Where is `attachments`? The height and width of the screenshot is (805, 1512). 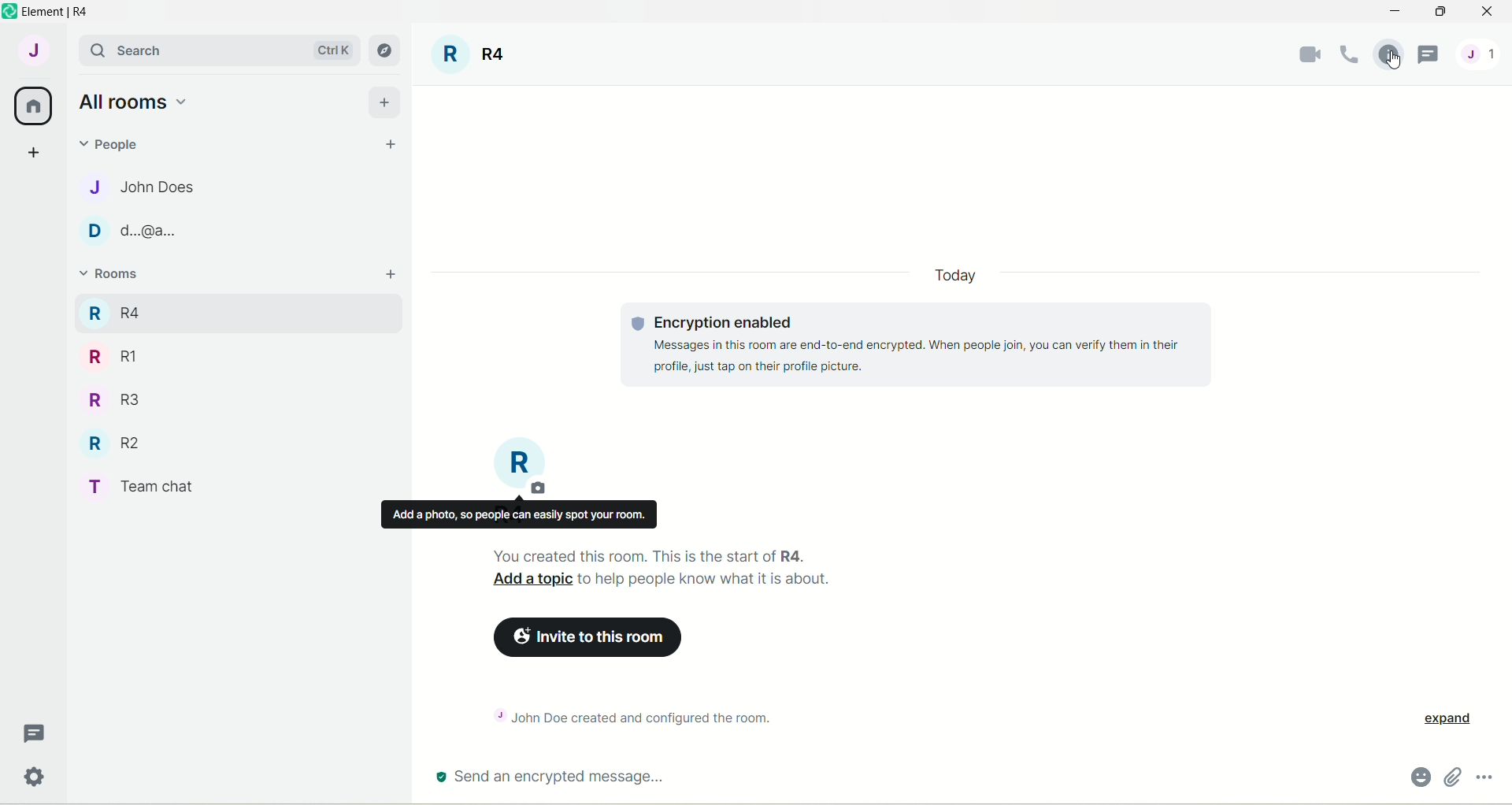
attachments is located at coordinates (1452, 777).